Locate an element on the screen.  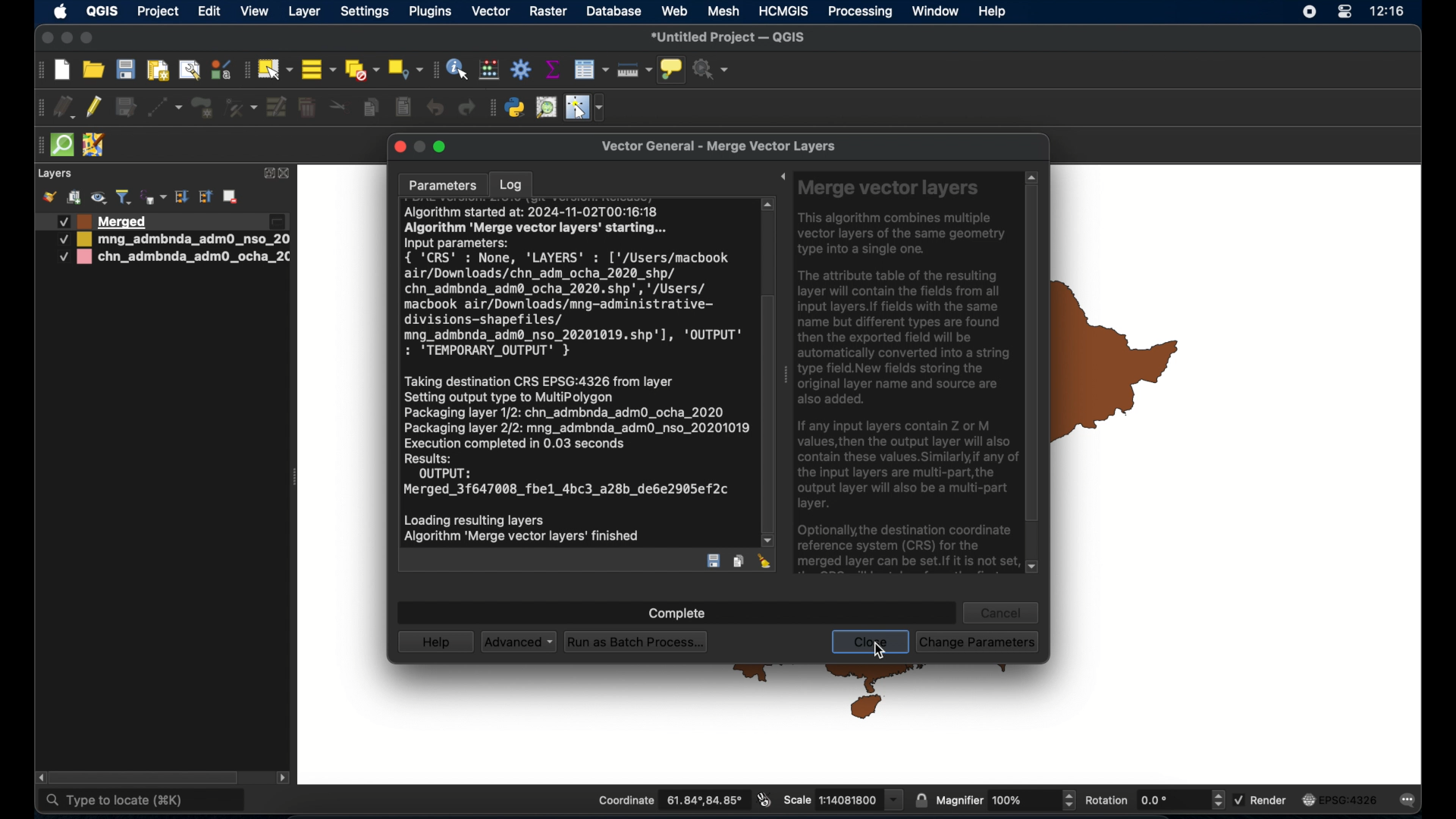
time is located at coordinates (1388, 13).